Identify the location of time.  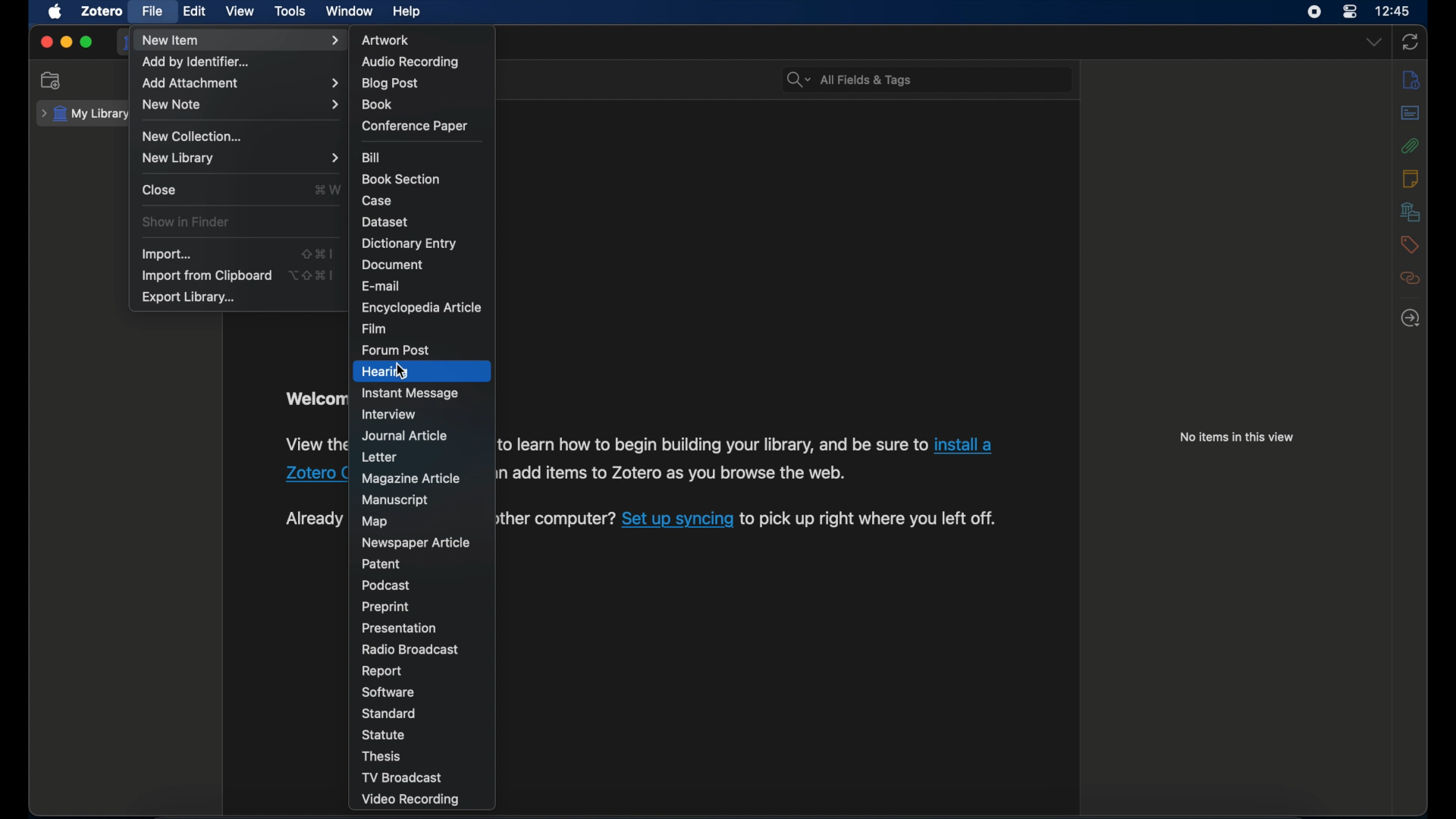
(1393, 10).